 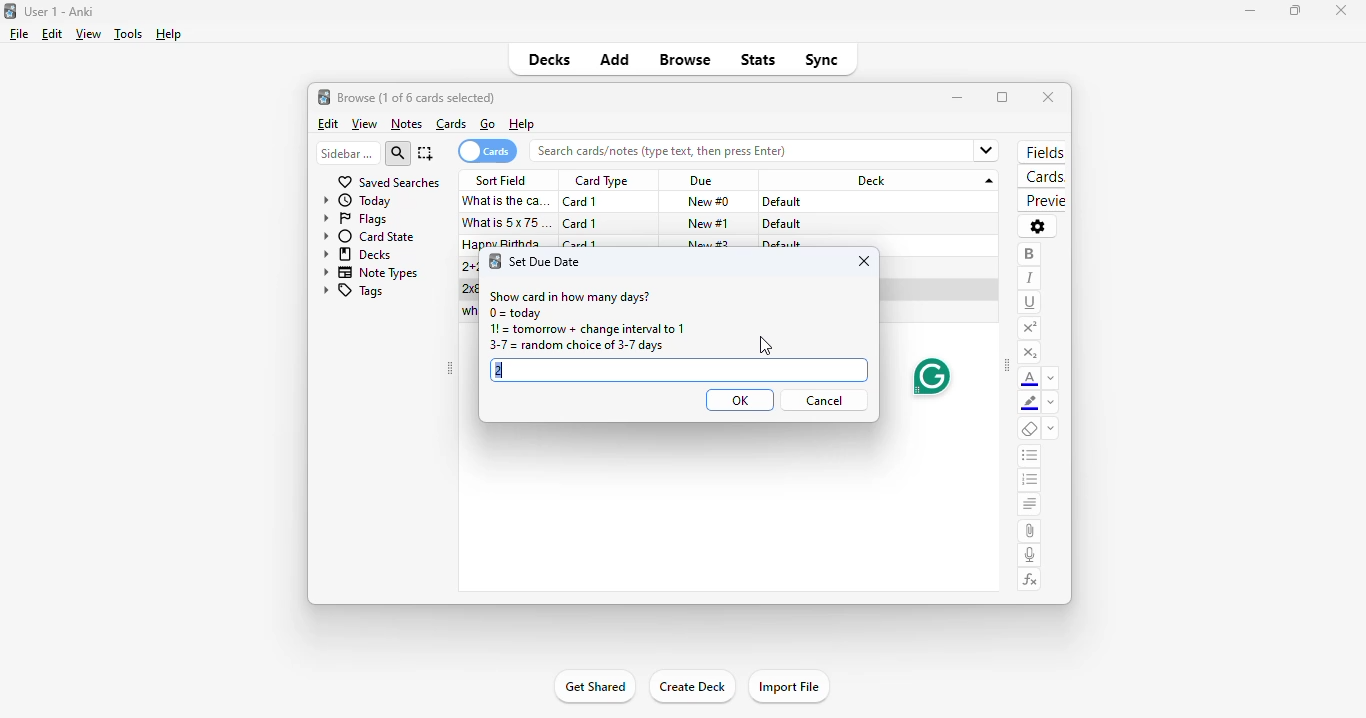 I want to click on 3-7 = random choice of 3-7 days, so click(x=575, y=346).